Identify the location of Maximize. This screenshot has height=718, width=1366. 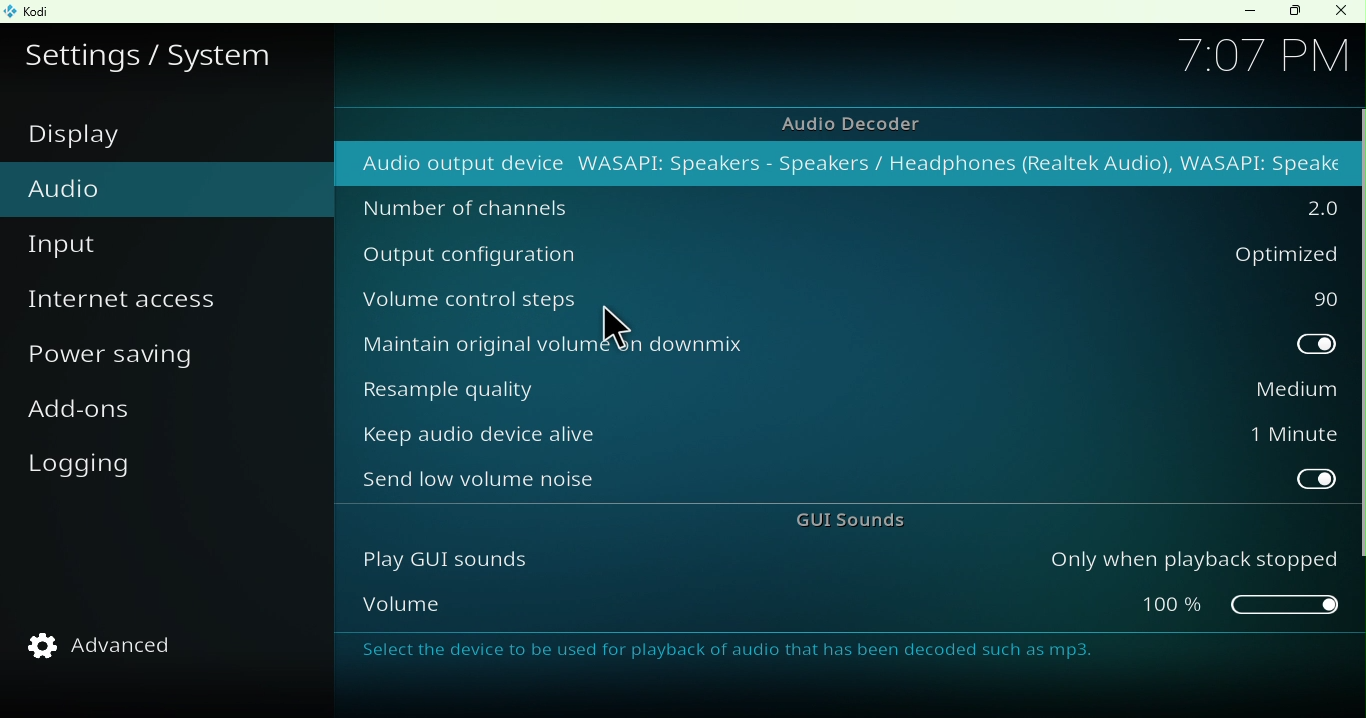
(1287, 13).